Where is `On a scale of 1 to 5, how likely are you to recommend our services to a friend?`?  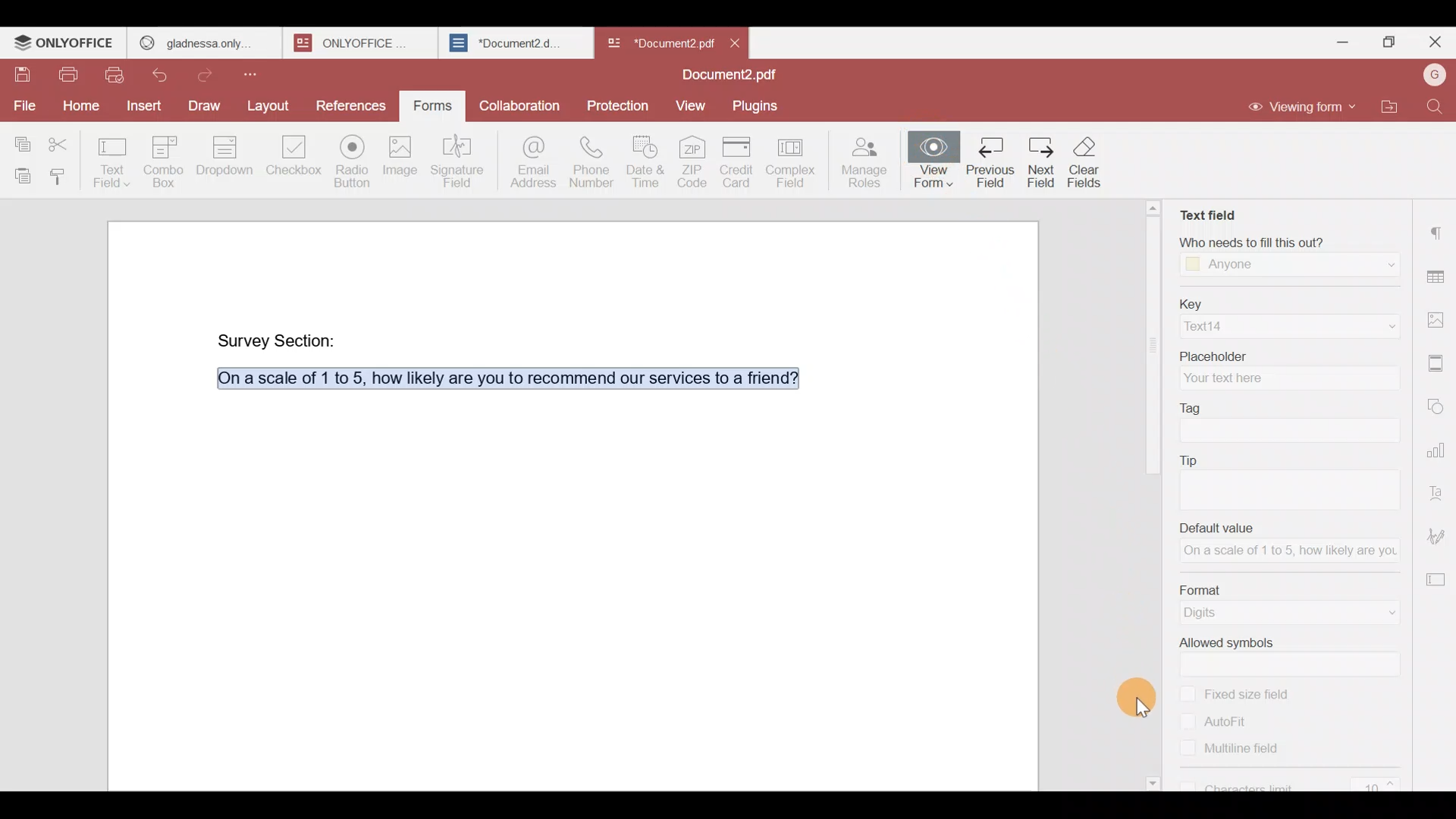 On a scale of 1 to 5, how likely are you to recommend our services to a friend? is located at coordinates (499, 378).